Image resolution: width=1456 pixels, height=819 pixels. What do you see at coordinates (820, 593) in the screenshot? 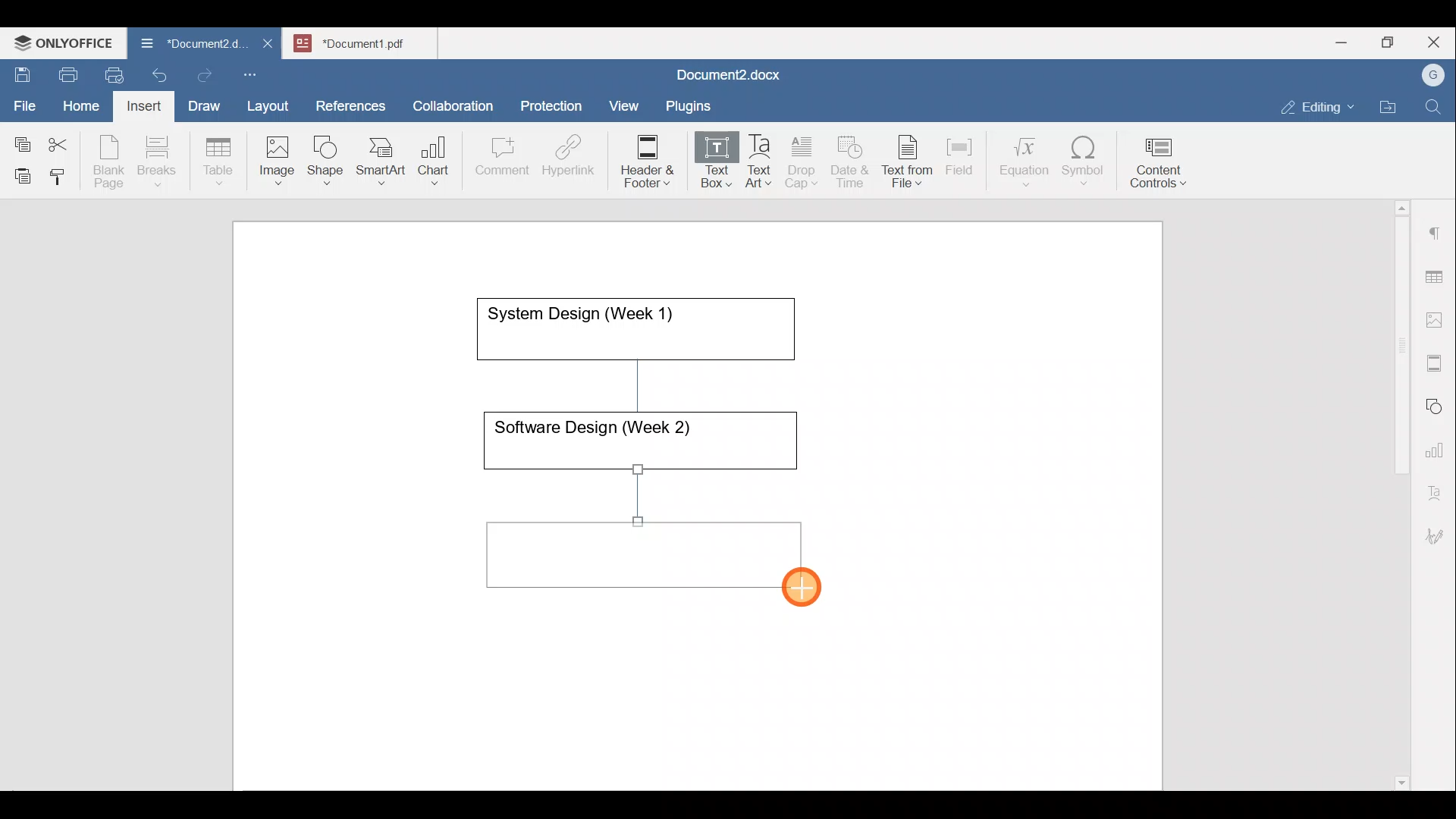
I see `Cursor` at bounding box center [820, 593].